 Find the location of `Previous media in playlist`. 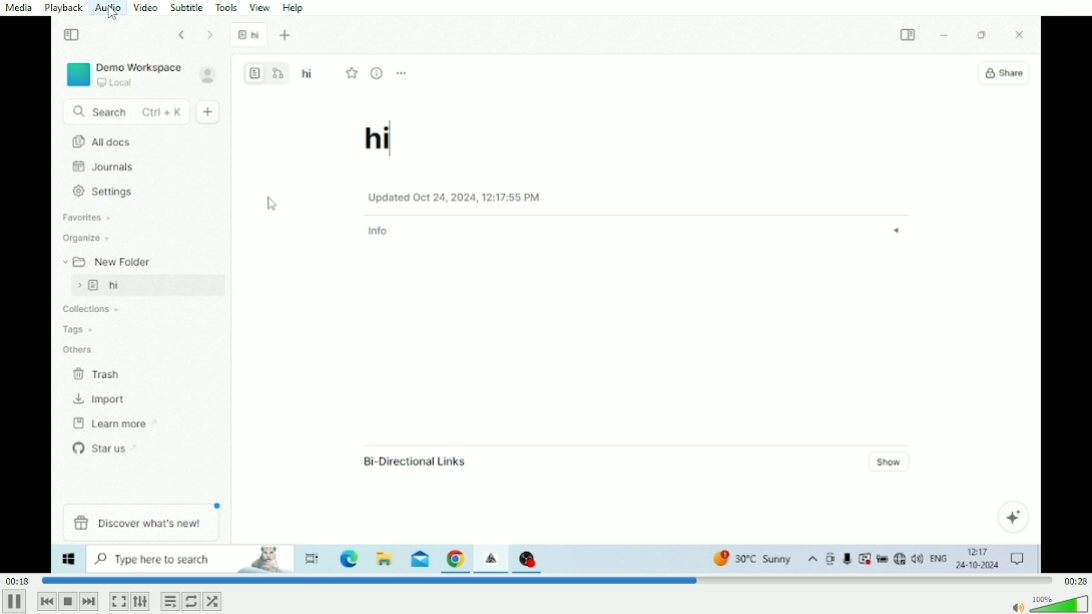

Previous media in playlist is located at coordinates (46, 601).